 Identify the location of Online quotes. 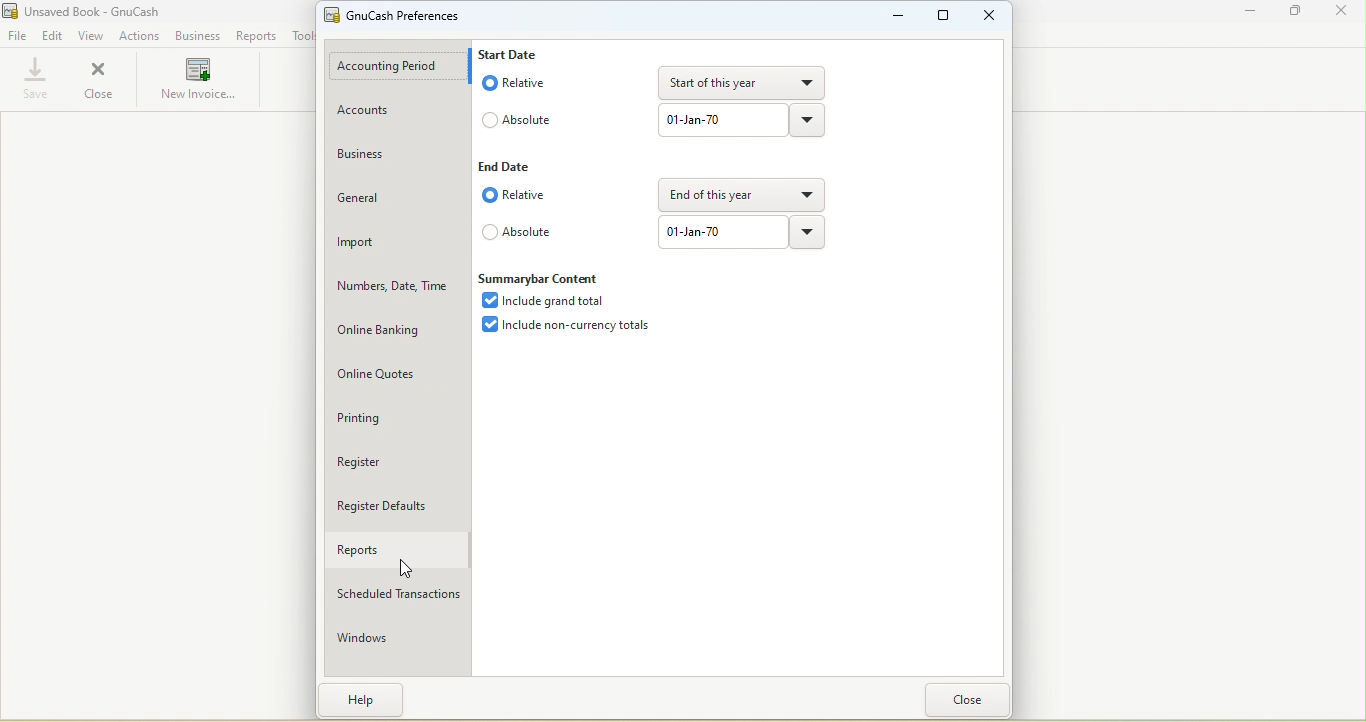
(397, 377).